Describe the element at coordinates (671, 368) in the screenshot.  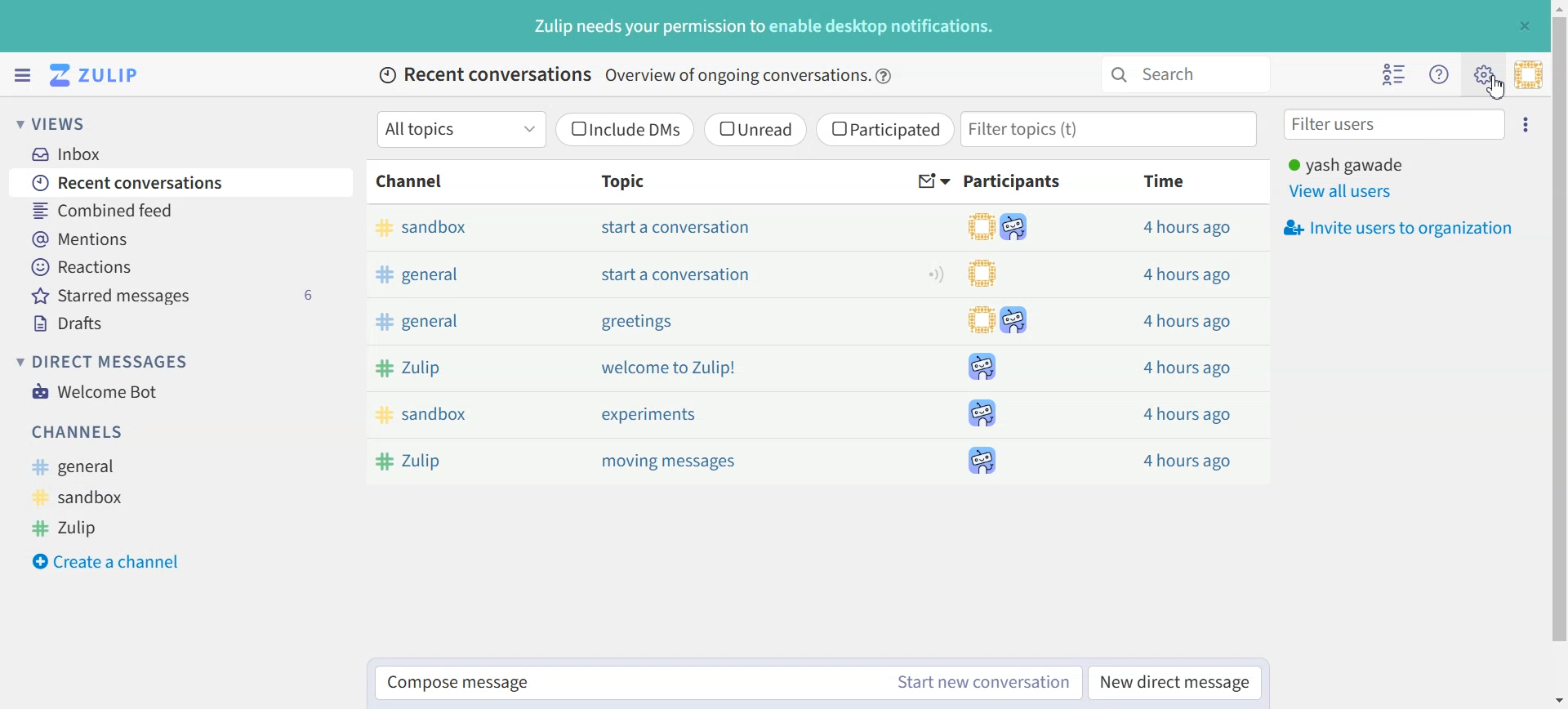
I see `Welcome to zulip` at that location.